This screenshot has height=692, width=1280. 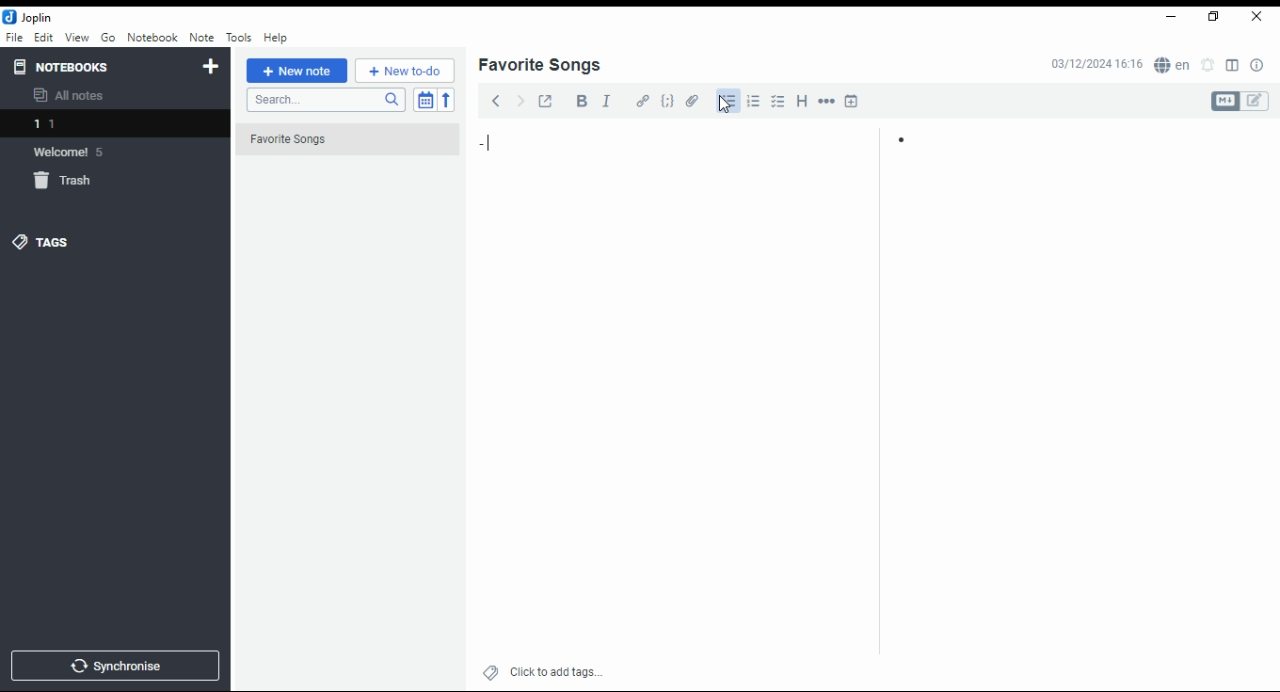 What do you see at coordinates (152, 37) in the screenshot?
I see `notebook` at bounding box center [152, 37].